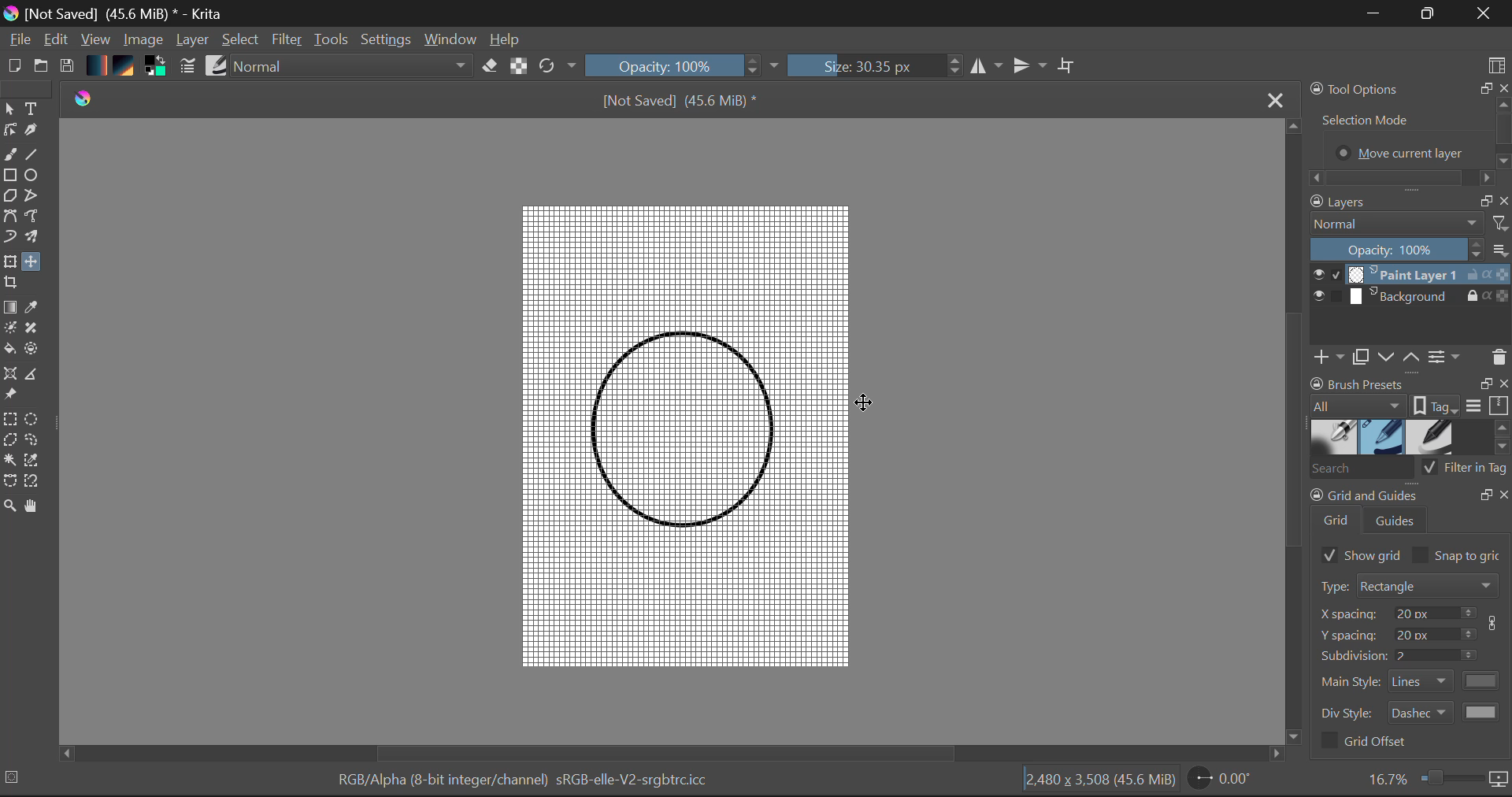 The width and height of the screenshot is (1512, 797). What do you see at coordinates (285, 40) in the screenshot?
I see `Filter` at bounding box center [285, 40].